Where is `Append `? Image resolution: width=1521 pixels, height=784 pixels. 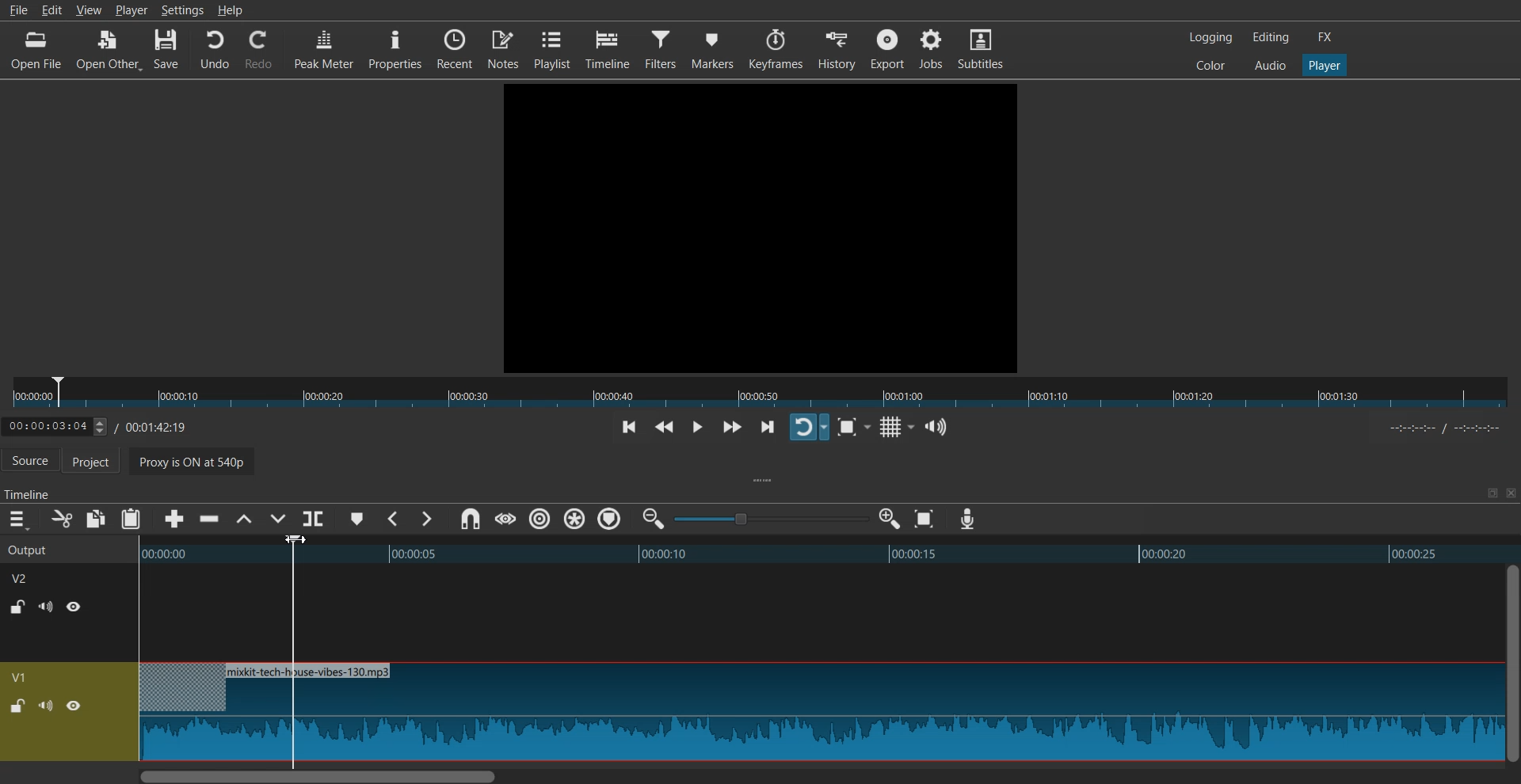 Append  is located at coordinates (175, 519).